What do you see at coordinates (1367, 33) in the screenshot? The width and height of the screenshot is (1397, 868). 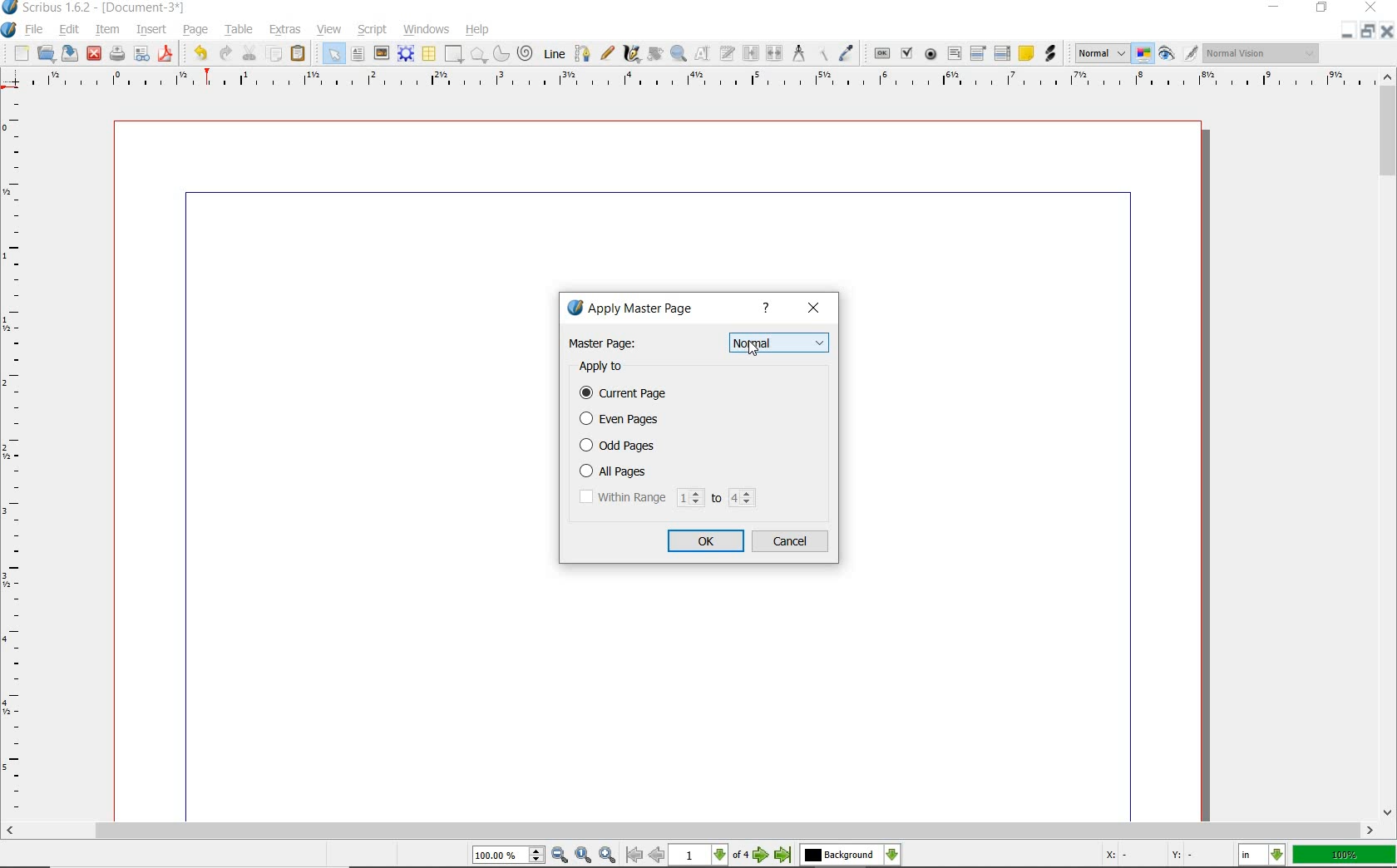 I see `Minimize` at bounding box center [1367, 33].